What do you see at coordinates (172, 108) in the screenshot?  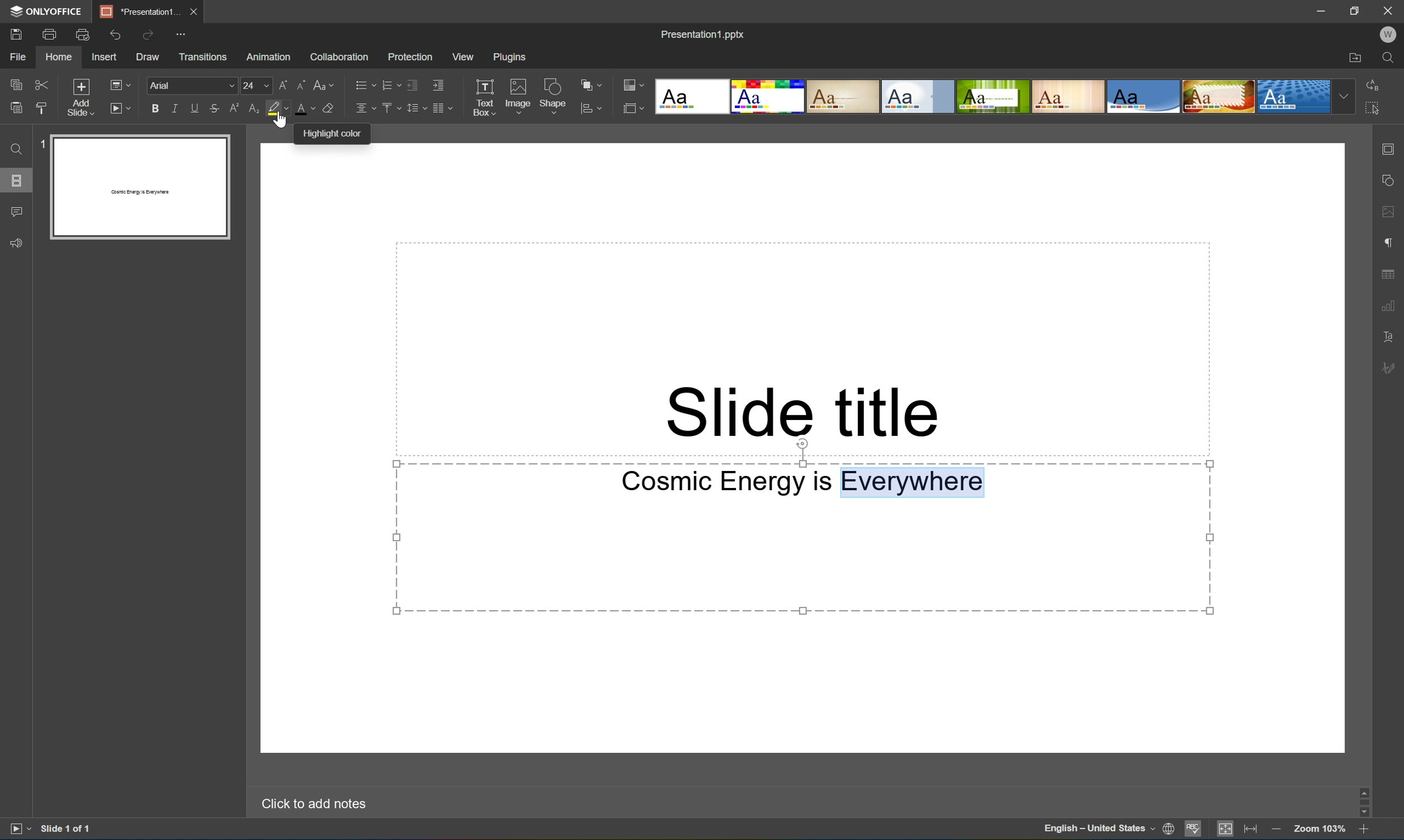 I see `Italic` at bounding box center [172, 108].